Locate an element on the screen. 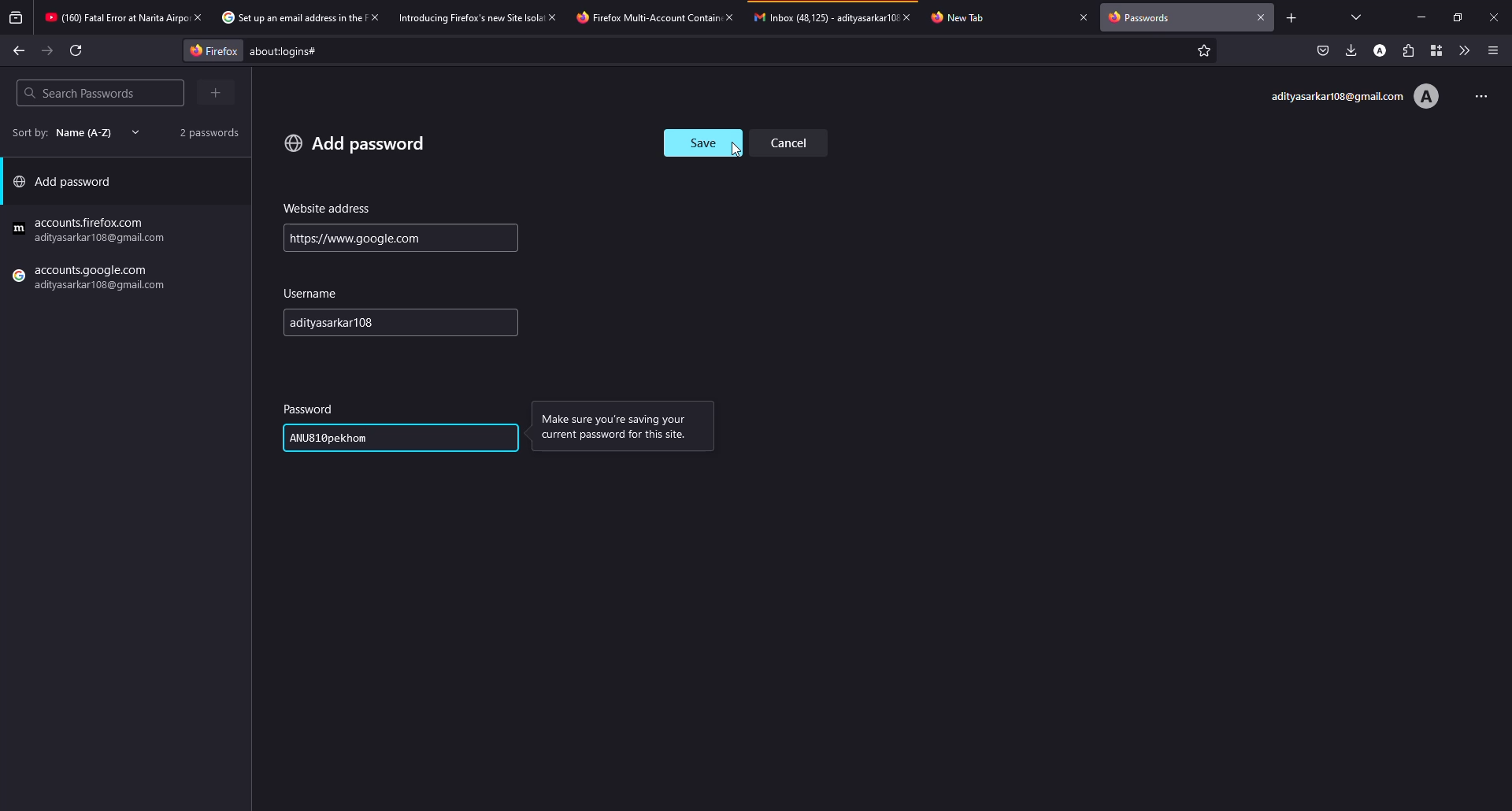  downloads is located at coordinates (1351, 50).